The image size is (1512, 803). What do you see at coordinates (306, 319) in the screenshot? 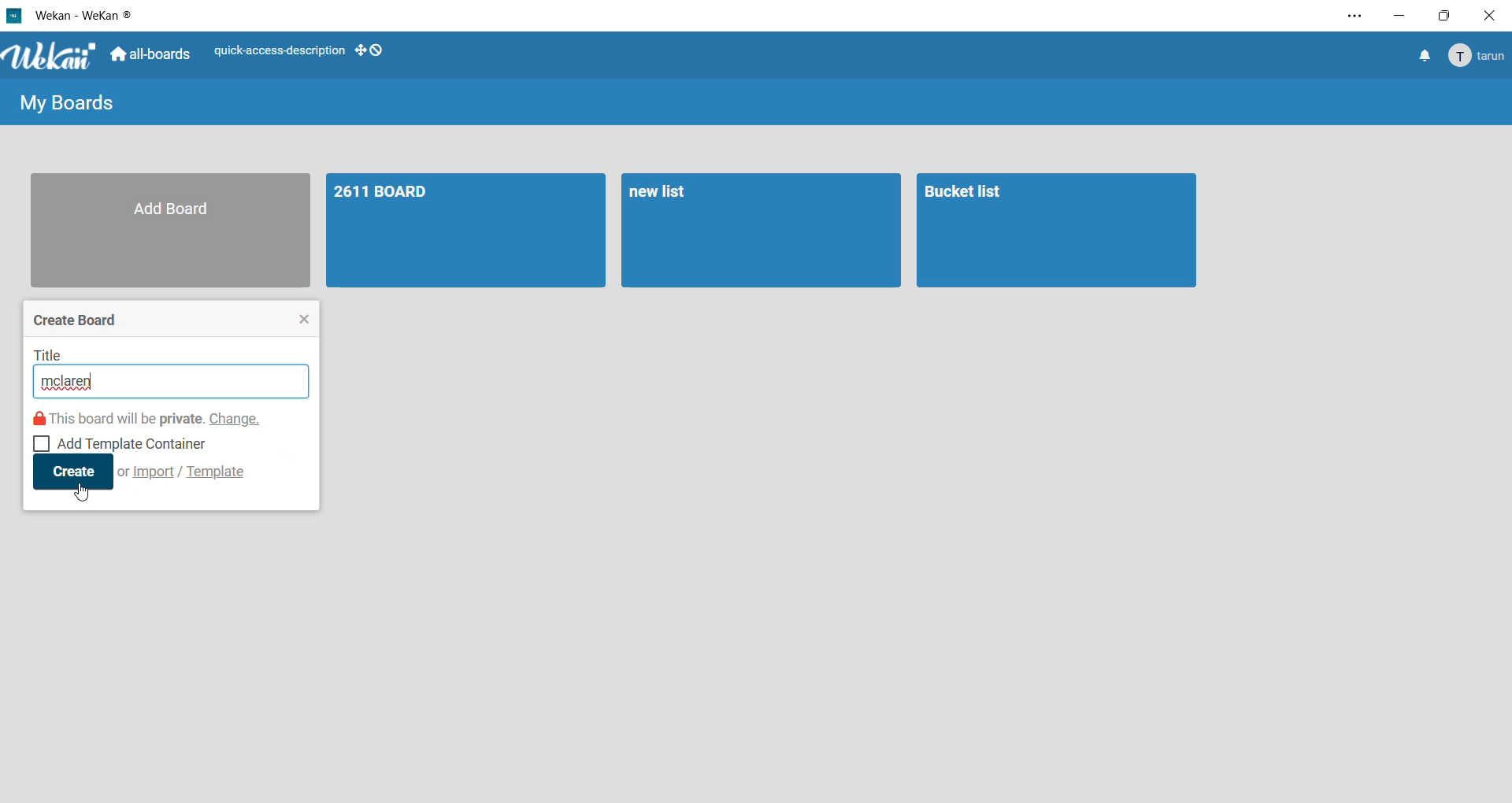
I see `close` at bounding box center [306, 319].